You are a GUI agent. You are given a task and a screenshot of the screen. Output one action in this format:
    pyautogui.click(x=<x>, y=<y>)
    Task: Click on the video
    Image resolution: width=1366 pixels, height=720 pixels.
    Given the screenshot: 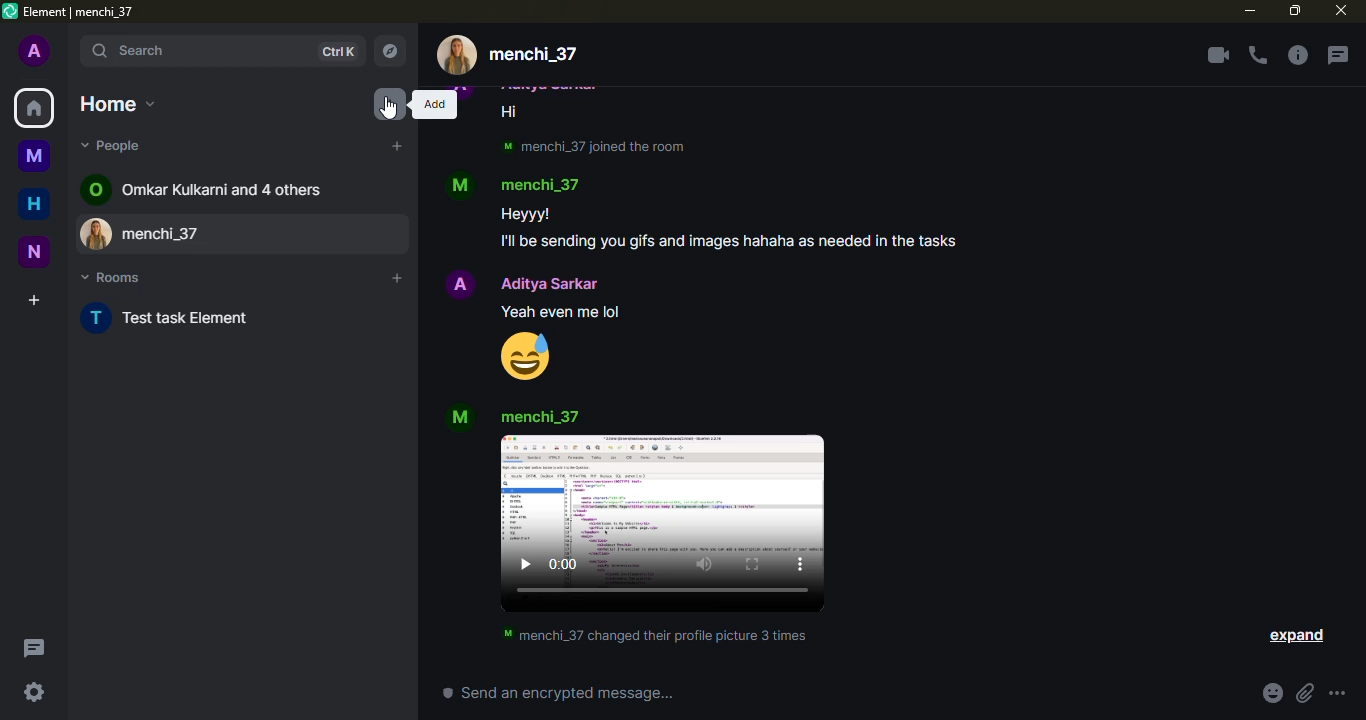 What is the action you would take?
    pyautogui.click(x=662, y=523)
    